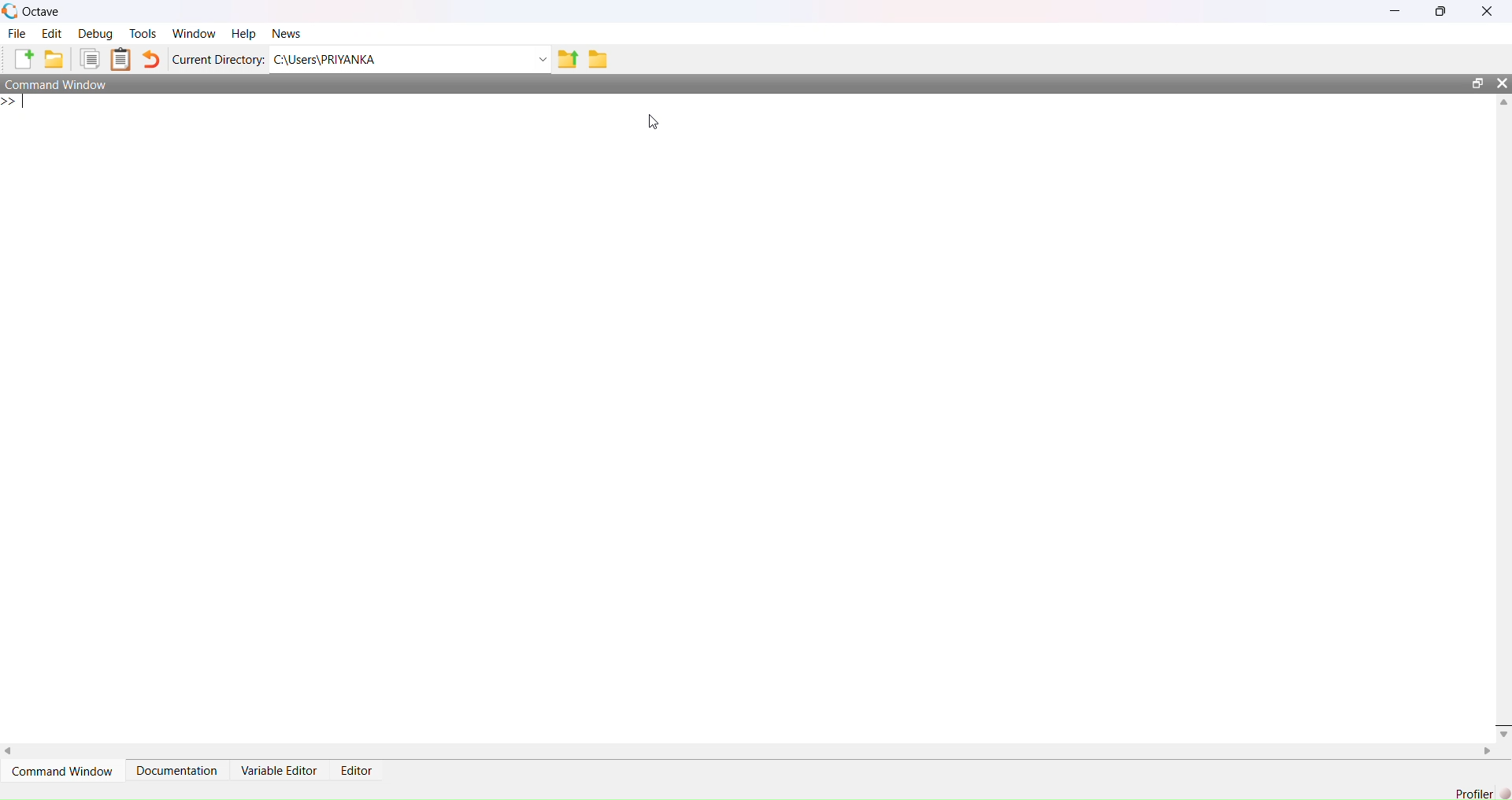 The width and height of the screenshot is (1512, 800). I want to click on Documentation, so click(178, 771).